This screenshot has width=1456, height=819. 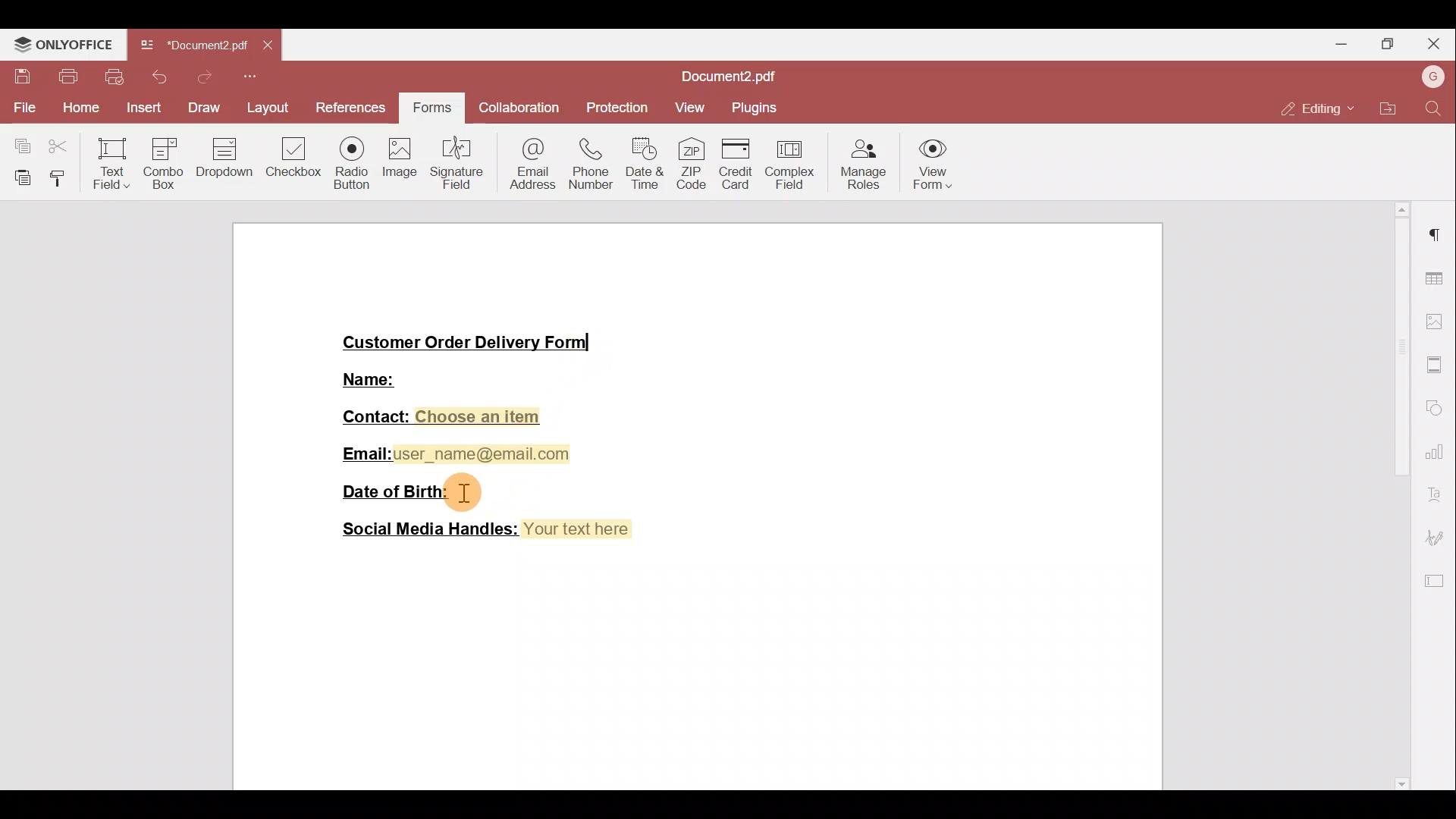 What do you see at coordinates (930, 168) in the screenshot?
I see `View form` at bounding box center [930, 168].